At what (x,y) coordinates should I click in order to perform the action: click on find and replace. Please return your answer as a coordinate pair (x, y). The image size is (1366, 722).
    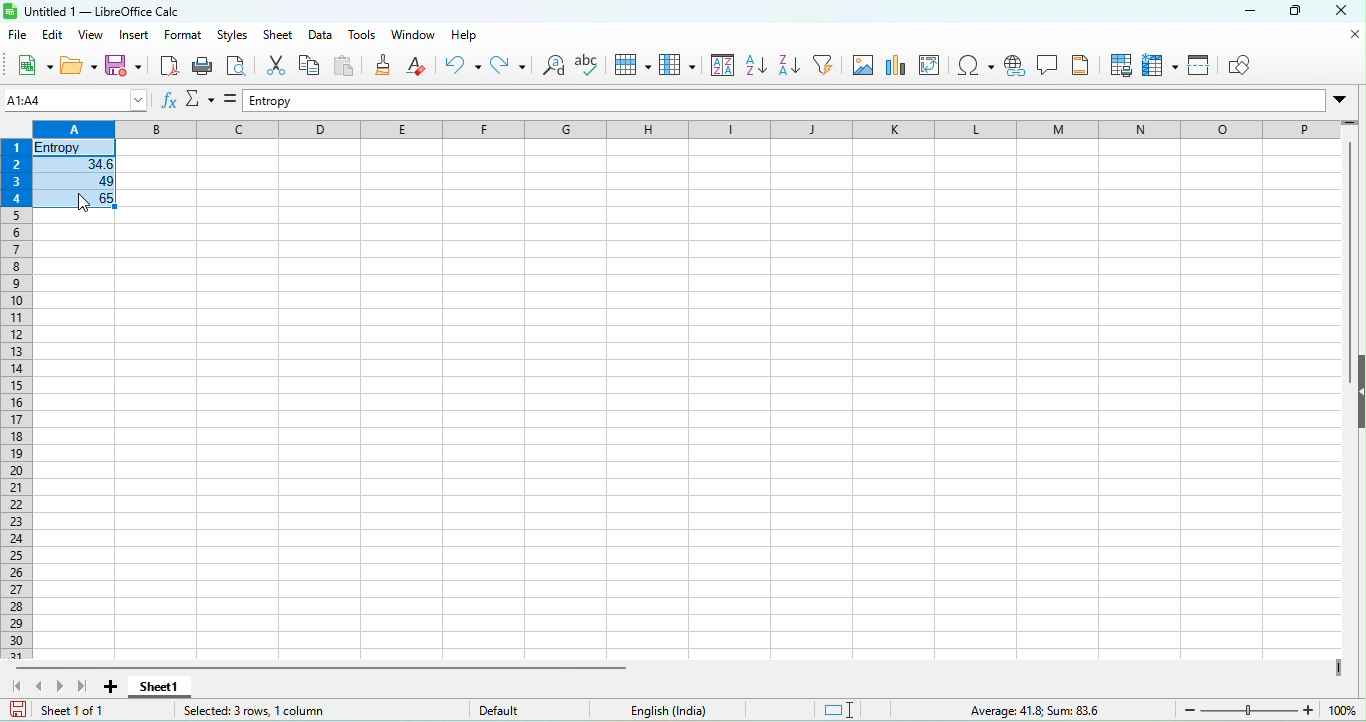
    Looking at the image, I should click on (551, 67).